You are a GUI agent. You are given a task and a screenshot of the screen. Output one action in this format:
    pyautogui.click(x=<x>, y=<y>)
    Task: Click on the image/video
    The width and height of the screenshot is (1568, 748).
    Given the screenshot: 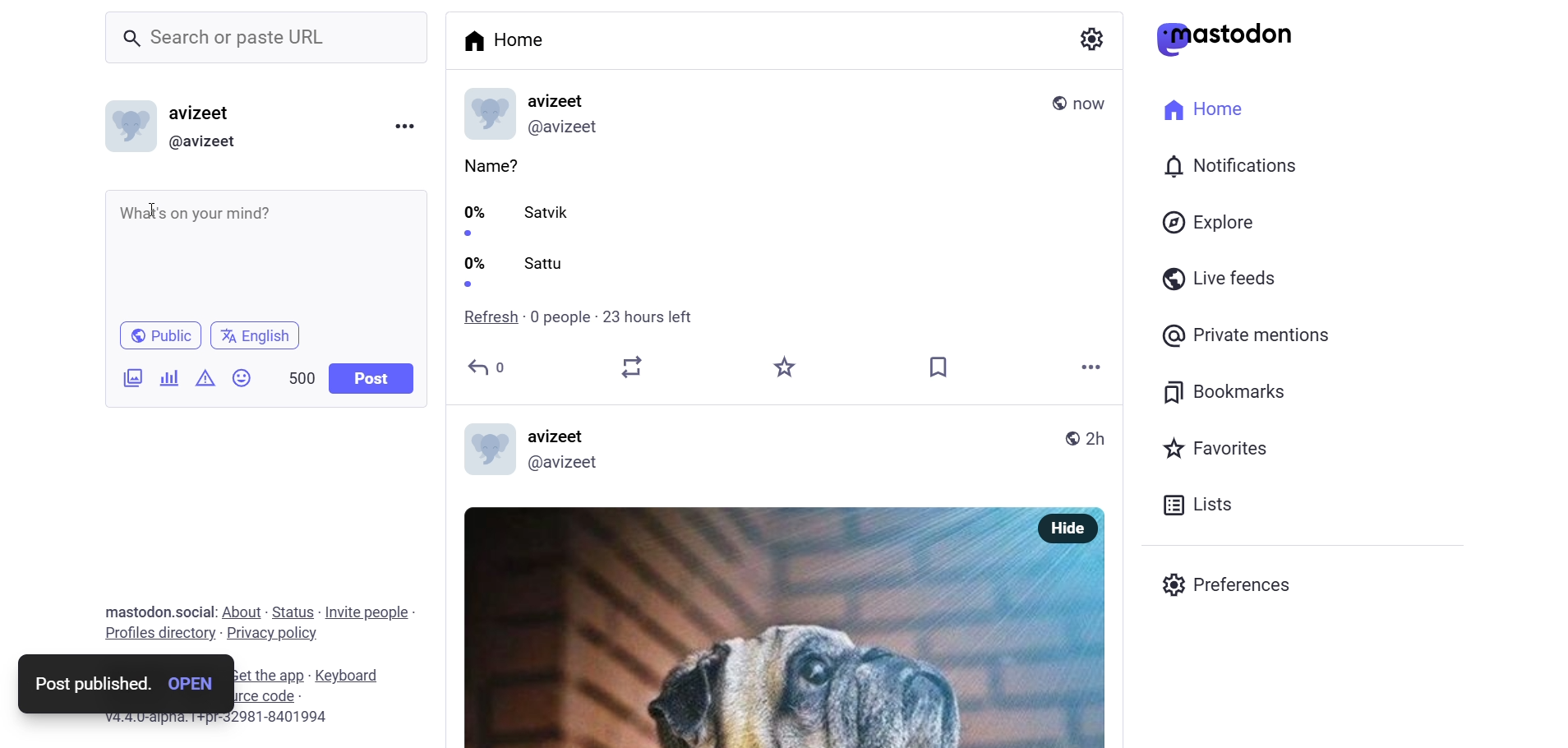 What is the action you would take?
    pyautogui.click(x=128, y=379)
    